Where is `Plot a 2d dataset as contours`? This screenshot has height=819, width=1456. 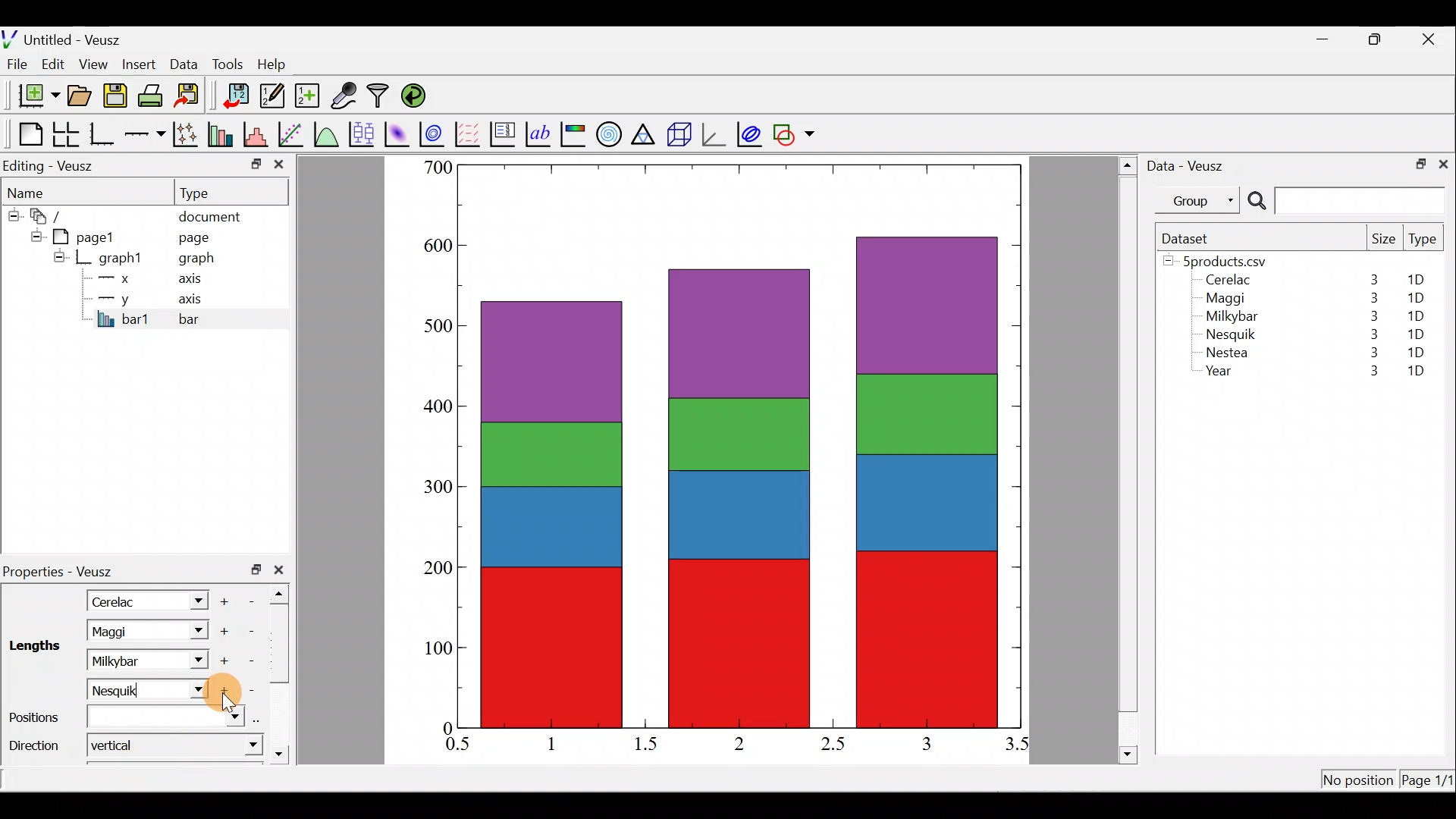
Plot a 2d dataset as contours is located at coordinates (435, 133).